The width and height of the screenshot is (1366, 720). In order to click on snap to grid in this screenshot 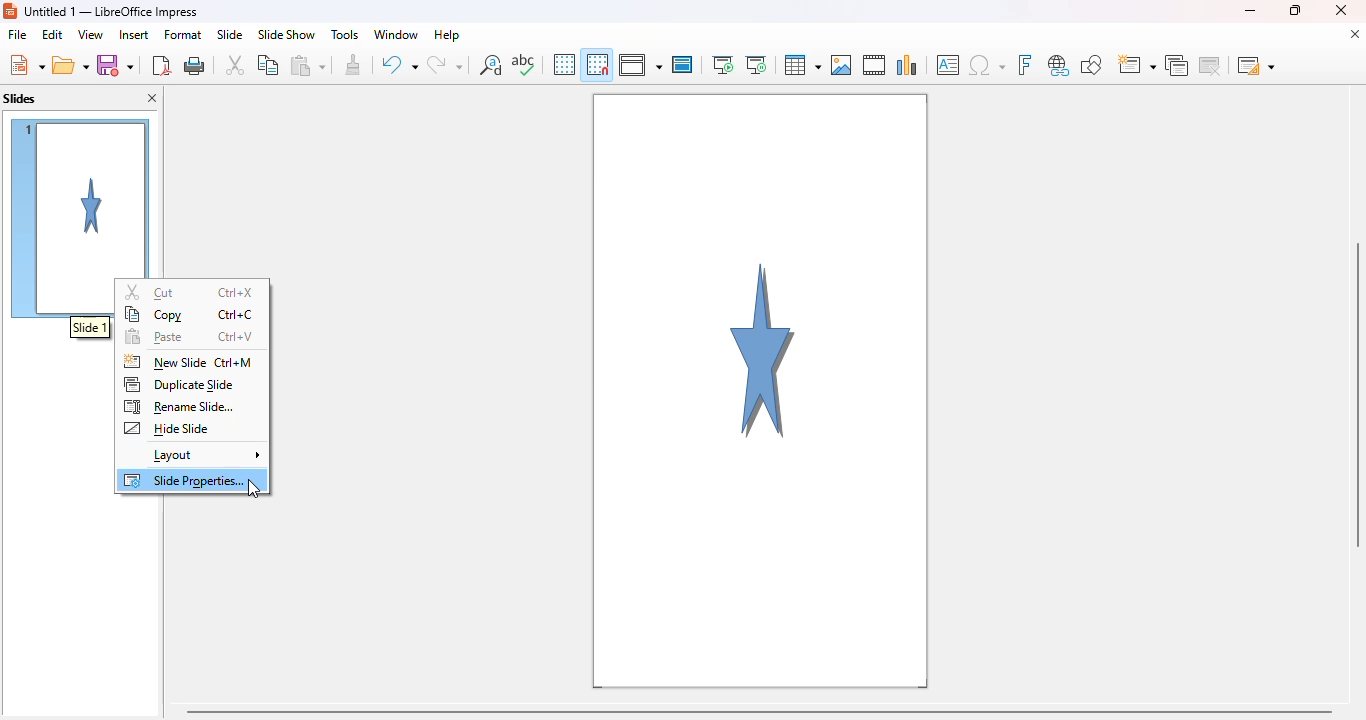, I will do `click(598, 63)`.